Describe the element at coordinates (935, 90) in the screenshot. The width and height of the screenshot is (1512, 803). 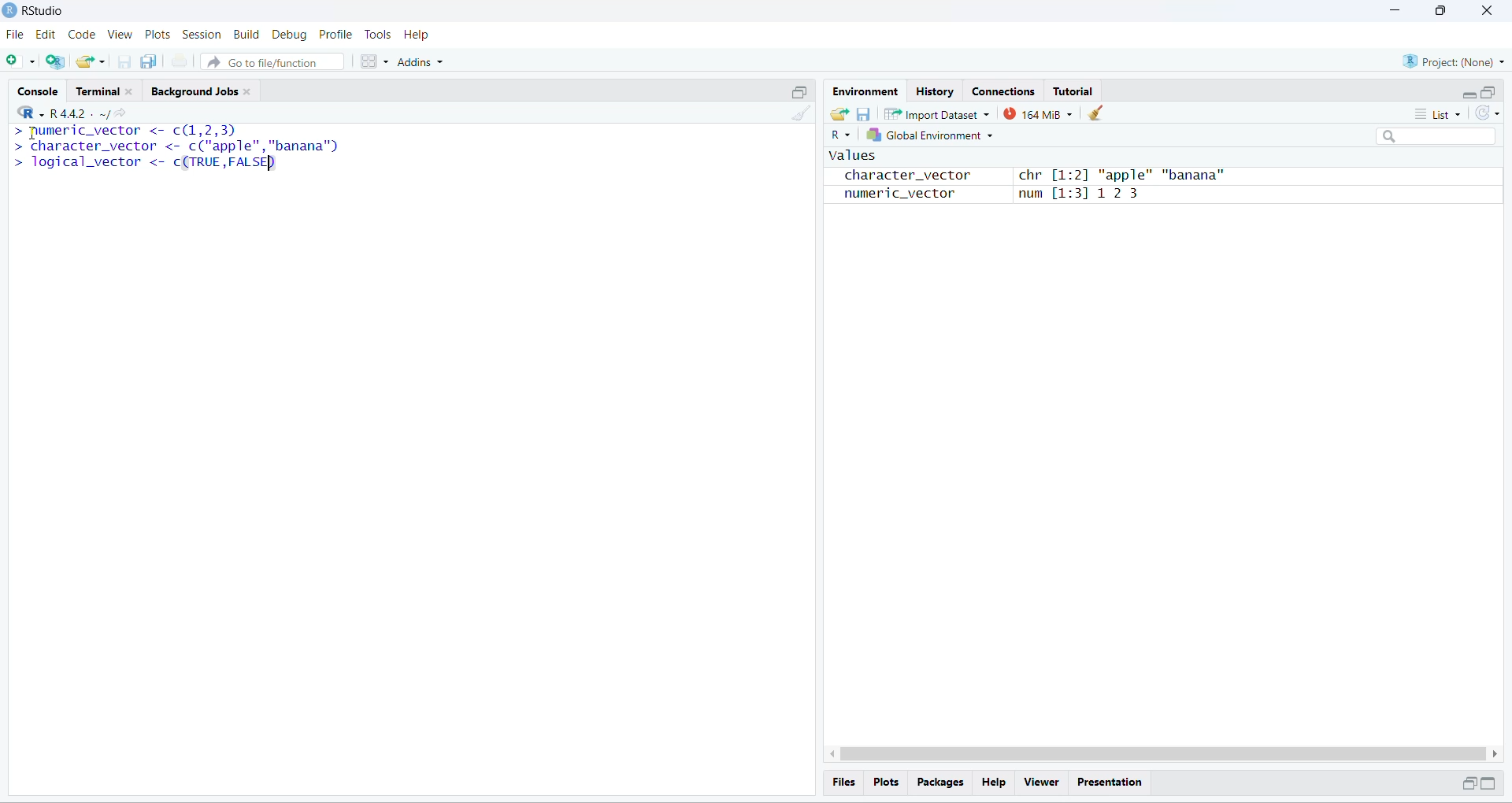
I see `History` at that location.